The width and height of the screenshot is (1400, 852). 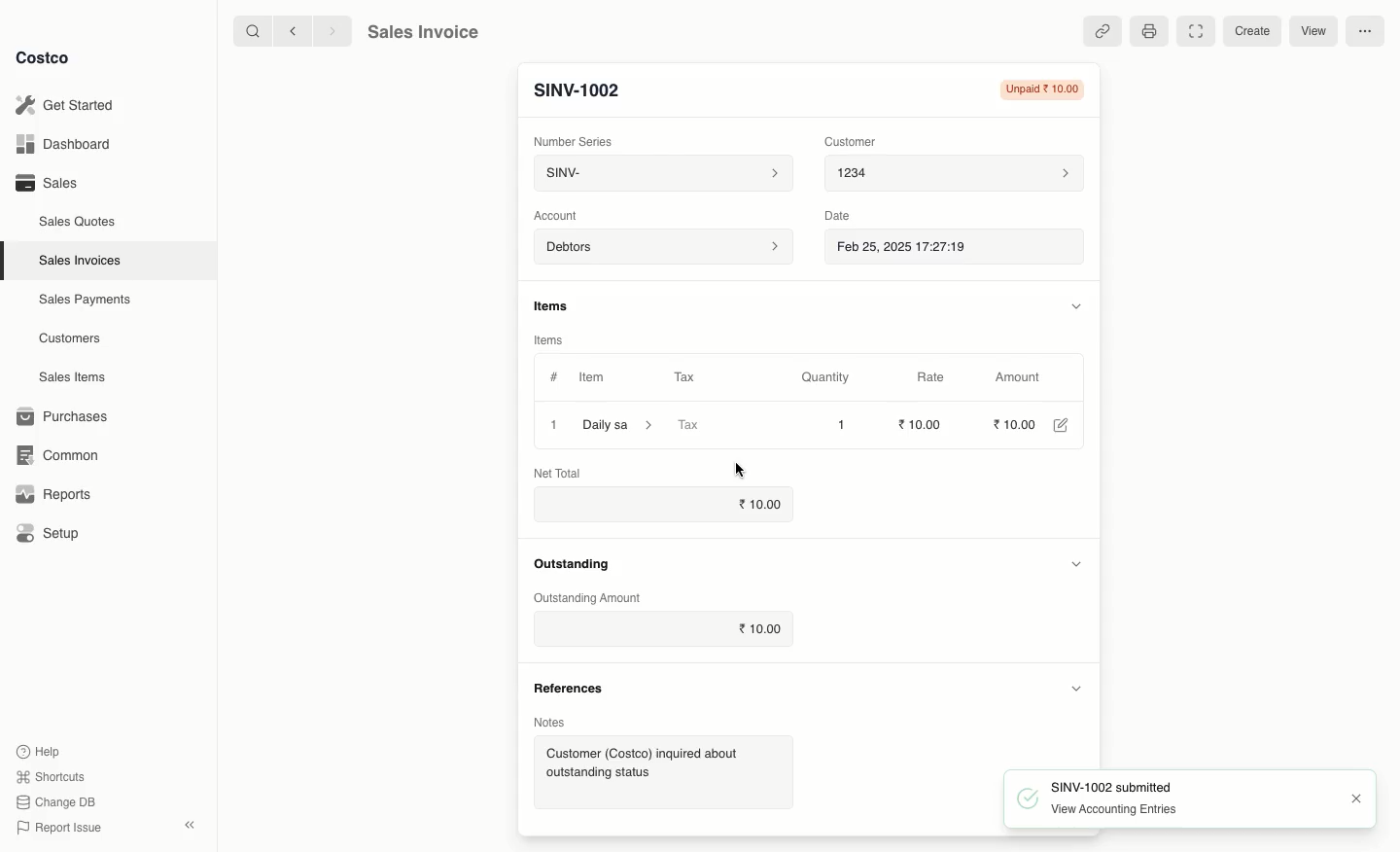 I want to click on 1234, so click(x=956, y=176).